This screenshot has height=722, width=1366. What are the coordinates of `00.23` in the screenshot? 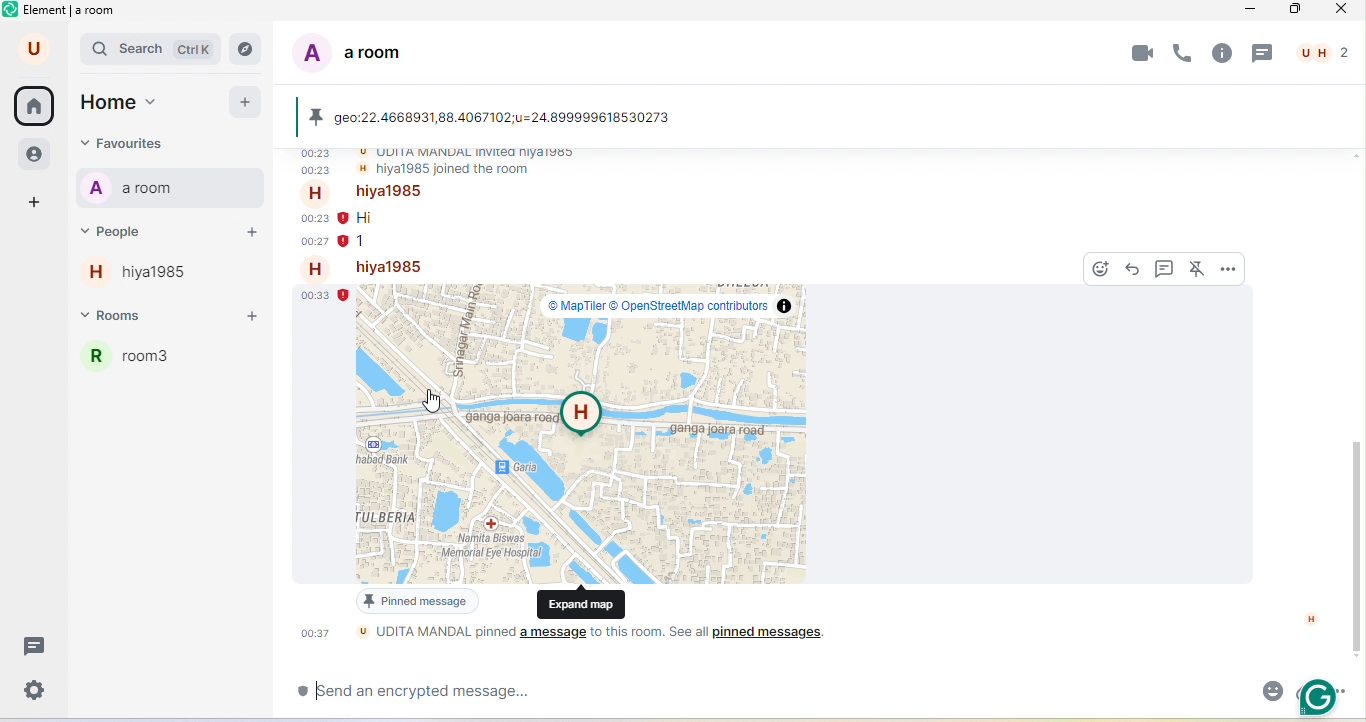 It's located at (314, 218).